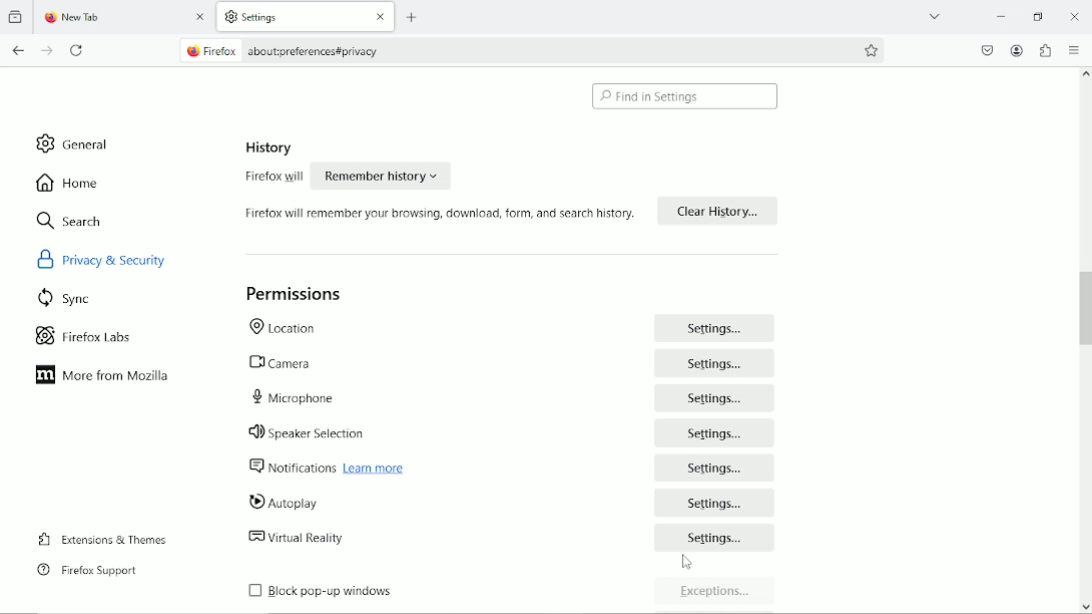 This screenshot has height=614, width=1092. I want to click on general, so click(75, 143).